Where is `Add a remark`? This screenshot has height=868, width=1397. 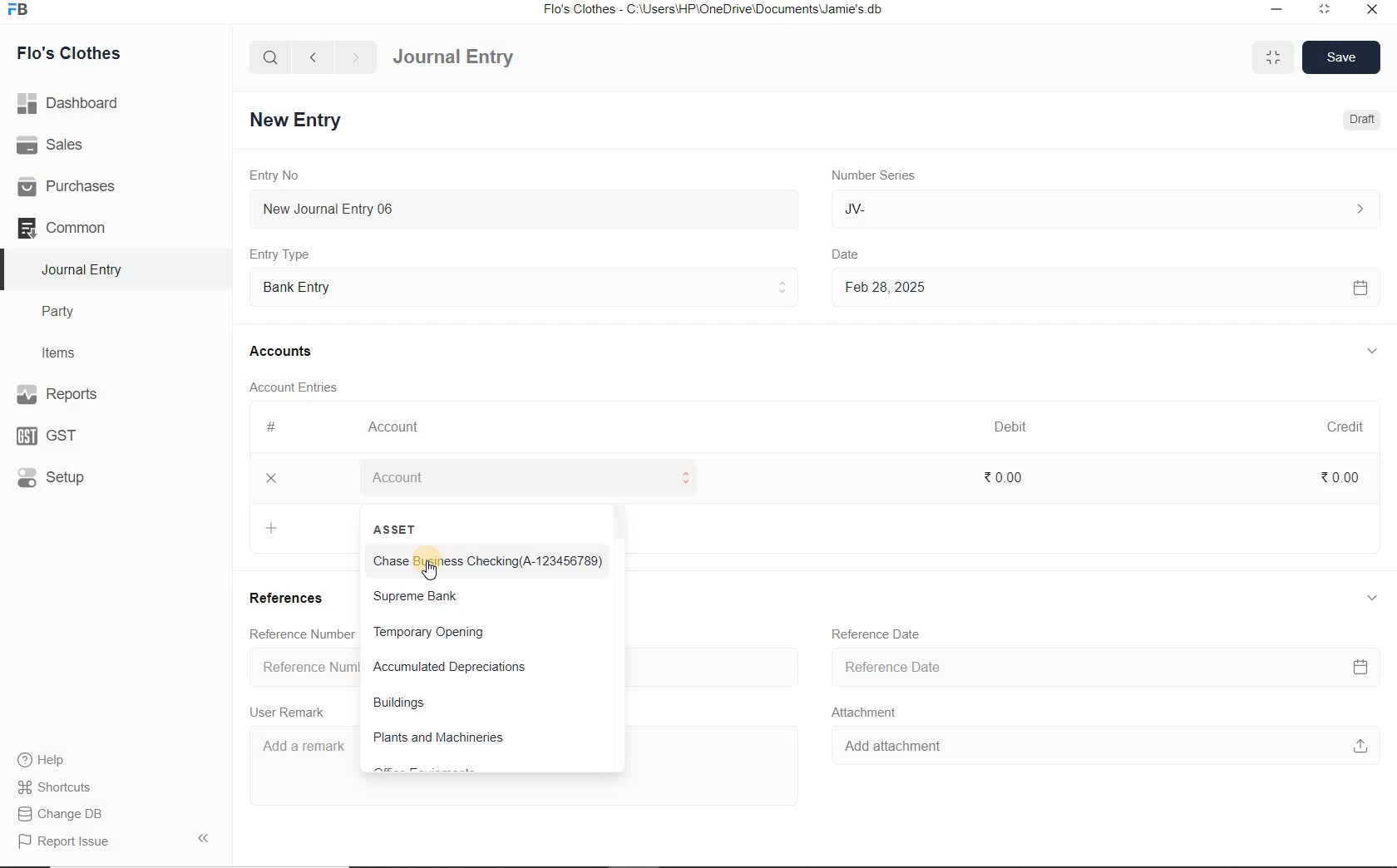
Add a remark is located at coordinates (299, 750).